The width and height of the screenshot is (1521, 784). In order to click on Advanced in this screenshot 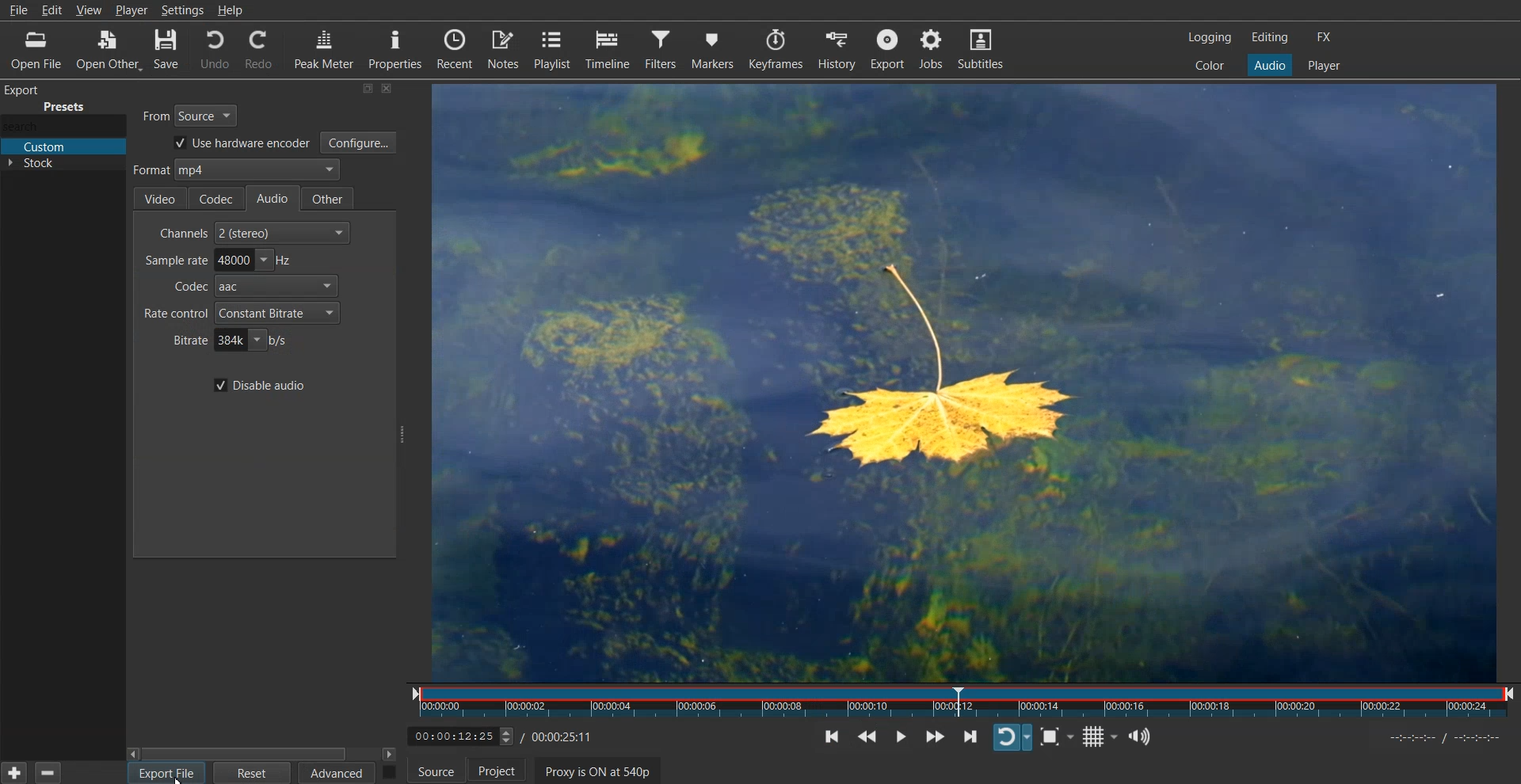, I will do `click(337, 773)`.